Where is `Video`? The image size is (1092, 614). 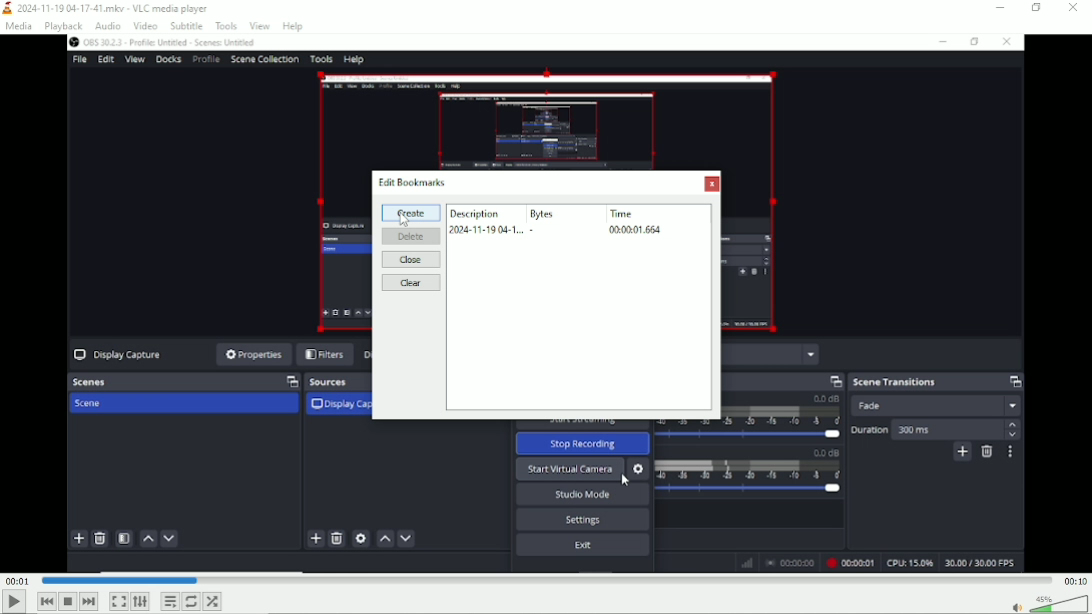
Video is located at coordinates (545, 500).